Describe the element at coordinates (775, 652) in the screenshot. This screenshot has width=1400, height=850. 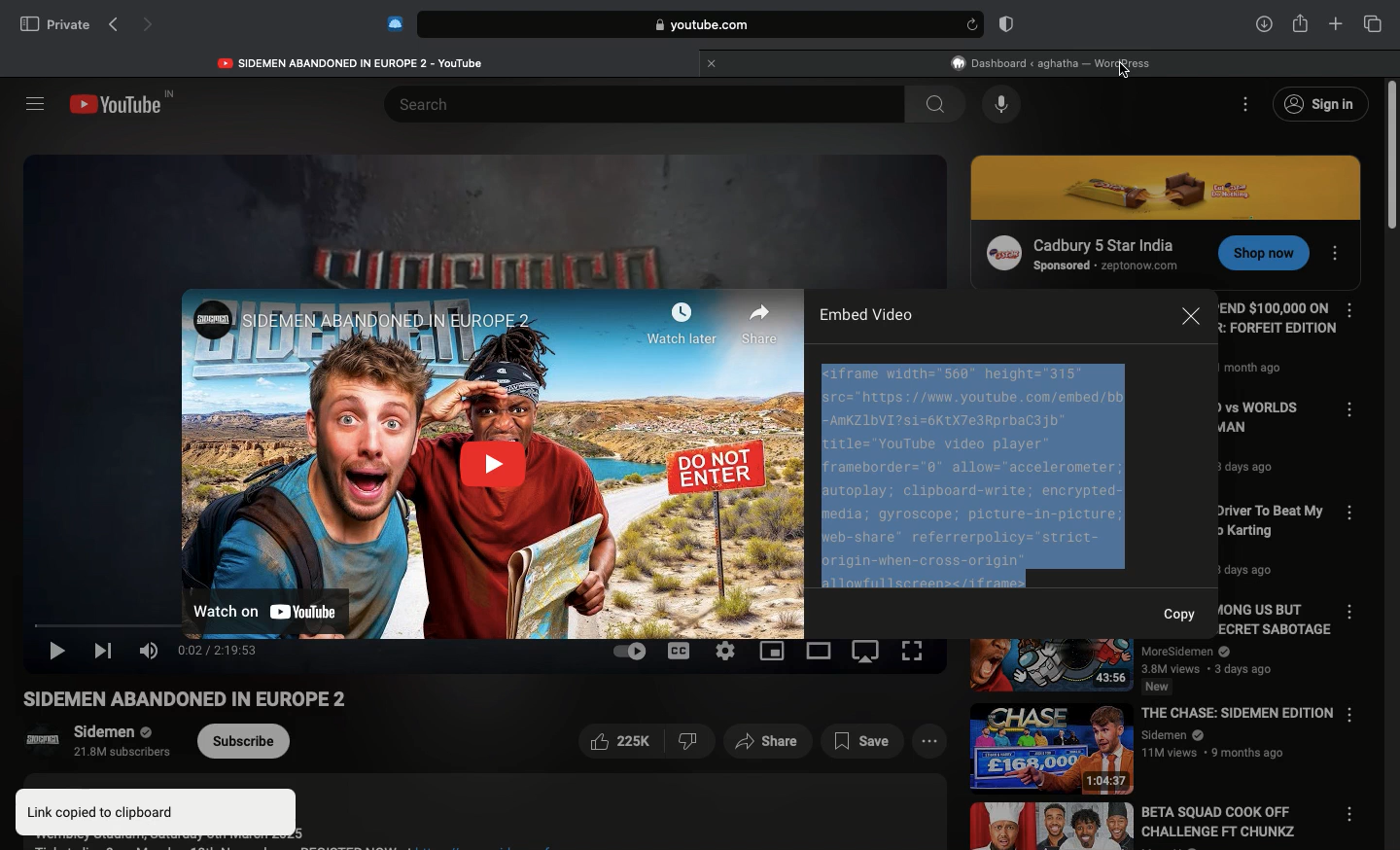
I see `Sharing screen` at that location.